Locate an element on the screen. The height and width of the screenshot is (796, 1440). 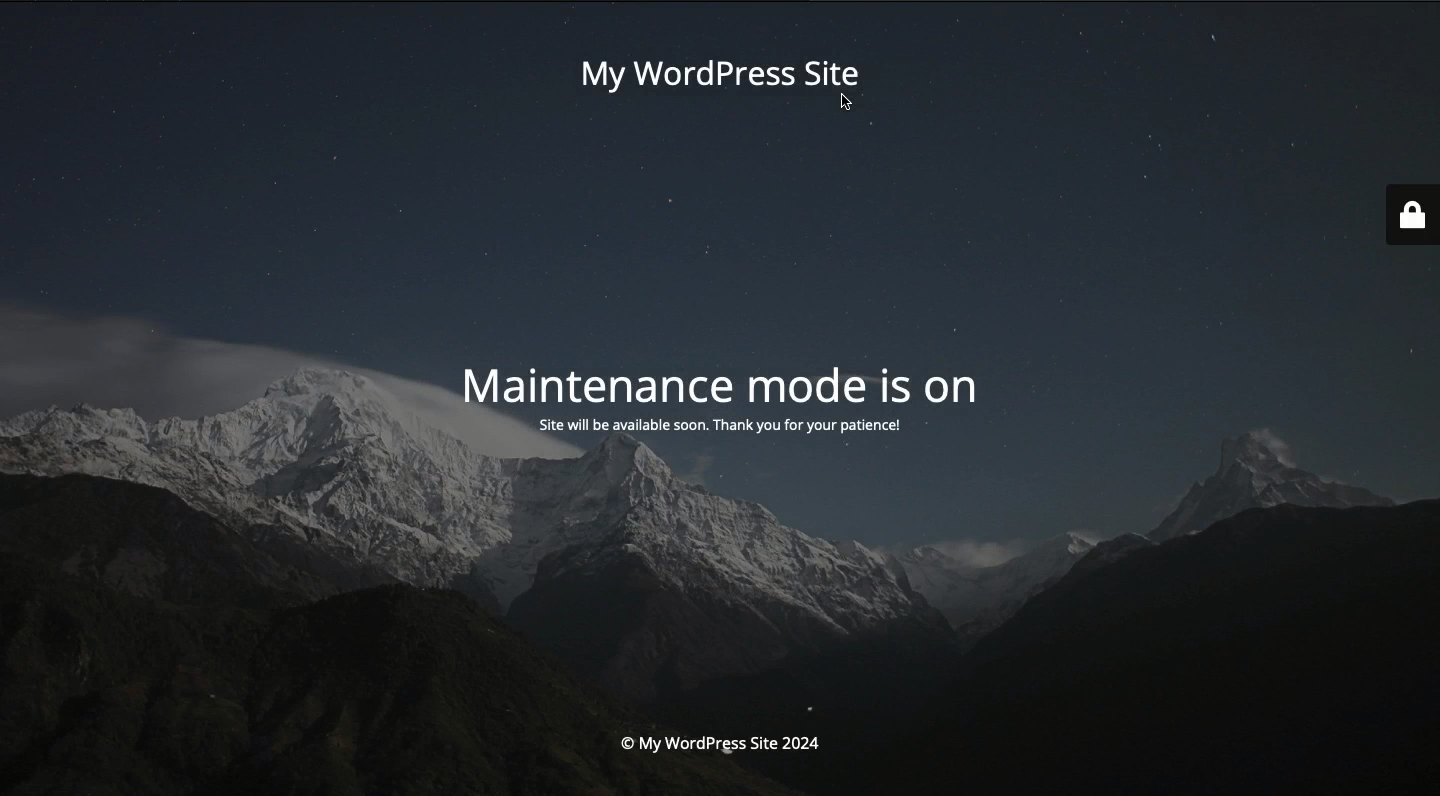
My wordpress site is located at coordinates (731, 82).